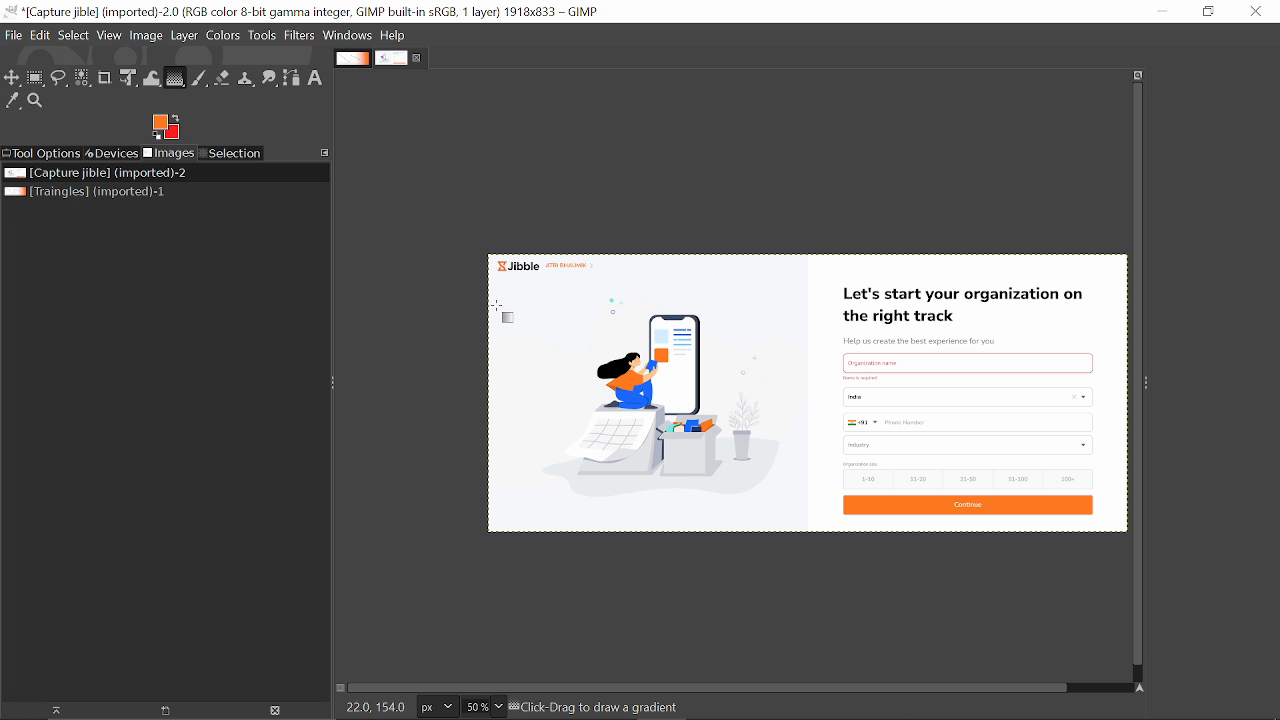 This screenshot has width=1280, height=720. What do you see at coordinates (42, 155) in the screenshot?
I see `Tool options` at bounding box center [42, 155].